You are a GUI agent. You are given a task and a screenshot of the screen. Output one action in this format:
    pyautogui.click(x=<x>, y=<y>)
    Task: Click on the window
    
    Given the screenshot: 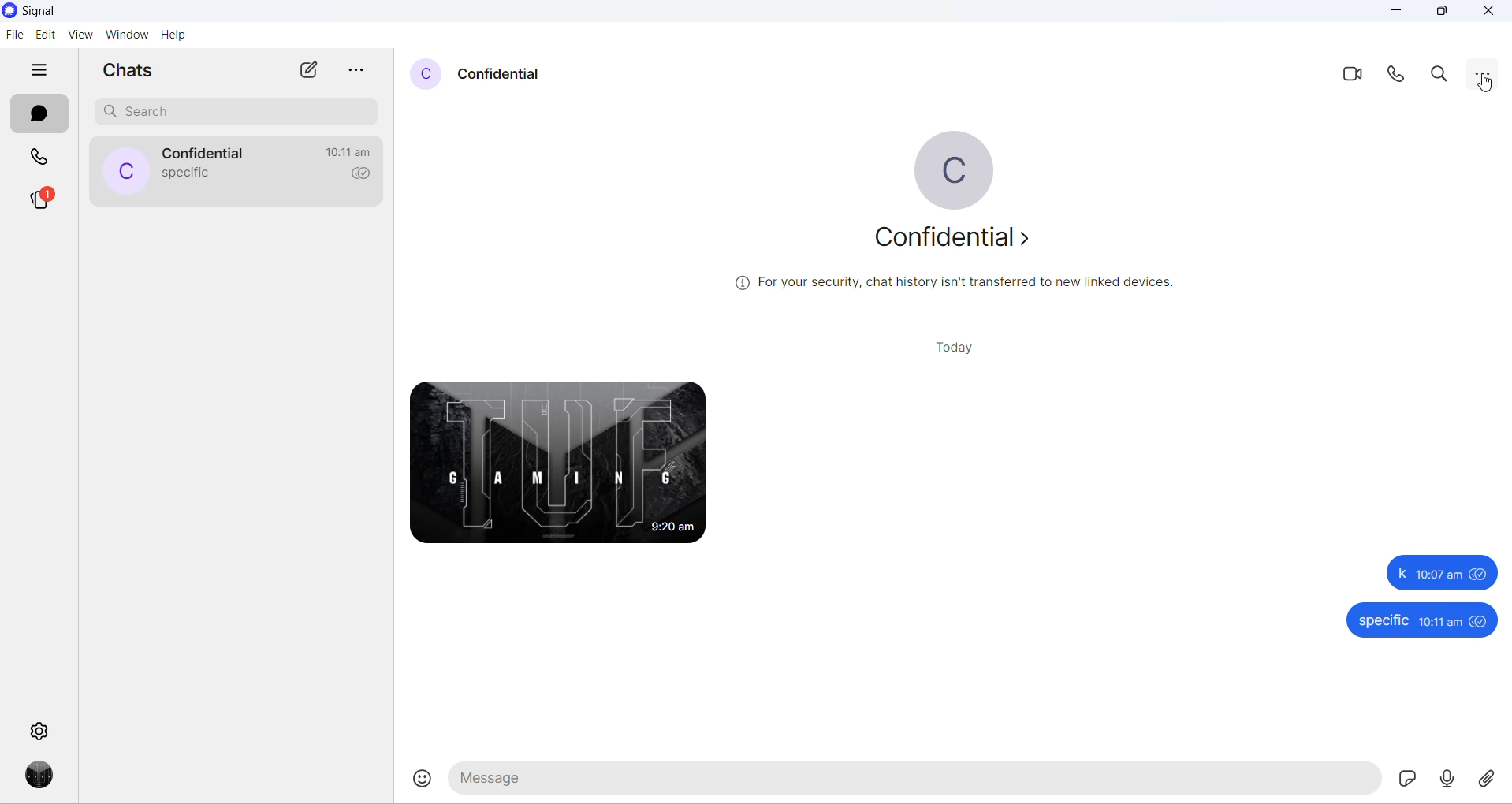 What is the action you would take?
    pyautogui.click(x=125, y=35)
    